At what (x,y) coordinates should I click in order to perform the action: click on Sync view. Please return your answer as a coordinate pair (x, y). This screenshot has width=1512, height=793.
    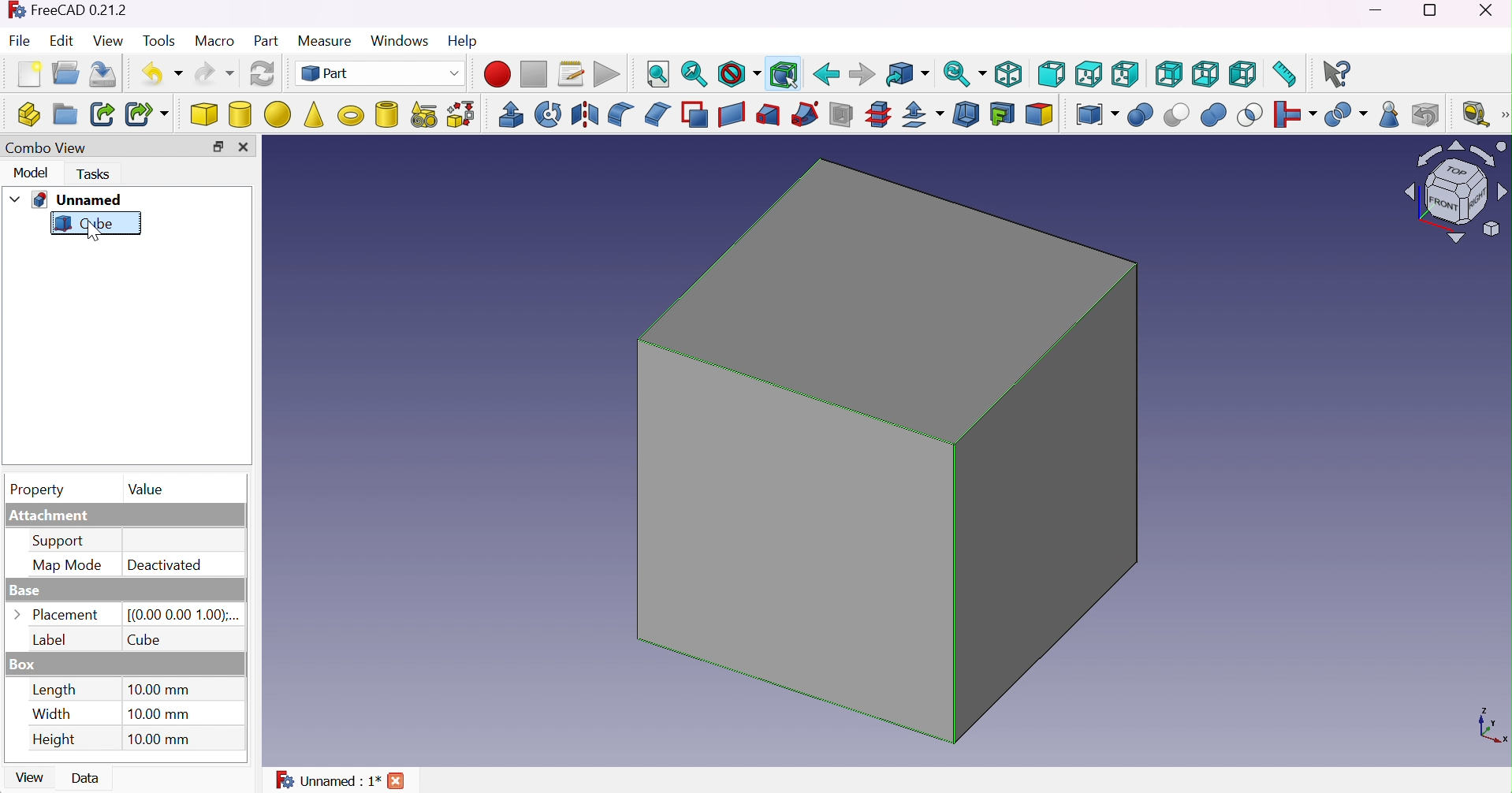
    Looking at the image, I should click on (963, 76).